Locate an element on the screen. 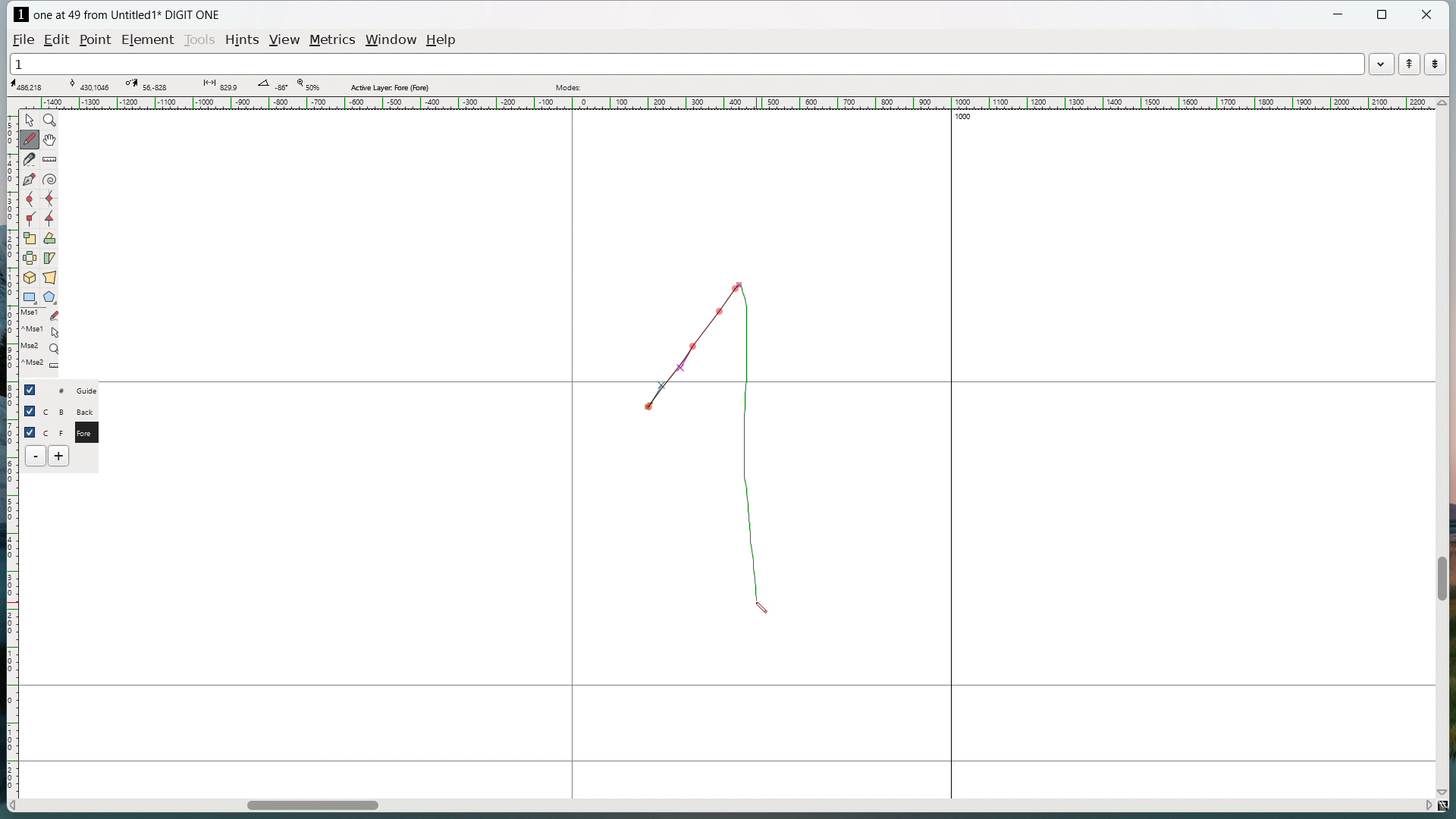 The image size is (1456, 819). Zoom level  is located at coordinates (307, 86).